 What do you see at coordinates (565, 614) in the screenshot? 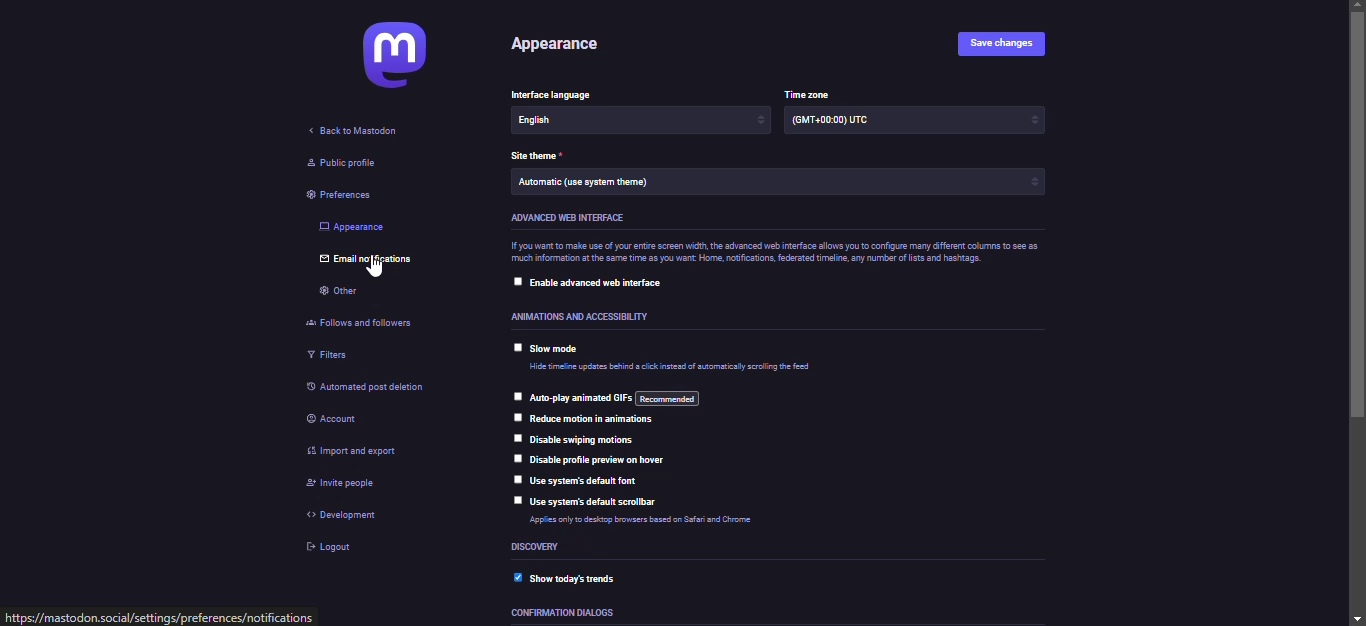
I see `dialoges` at bounding box center [565, 614].